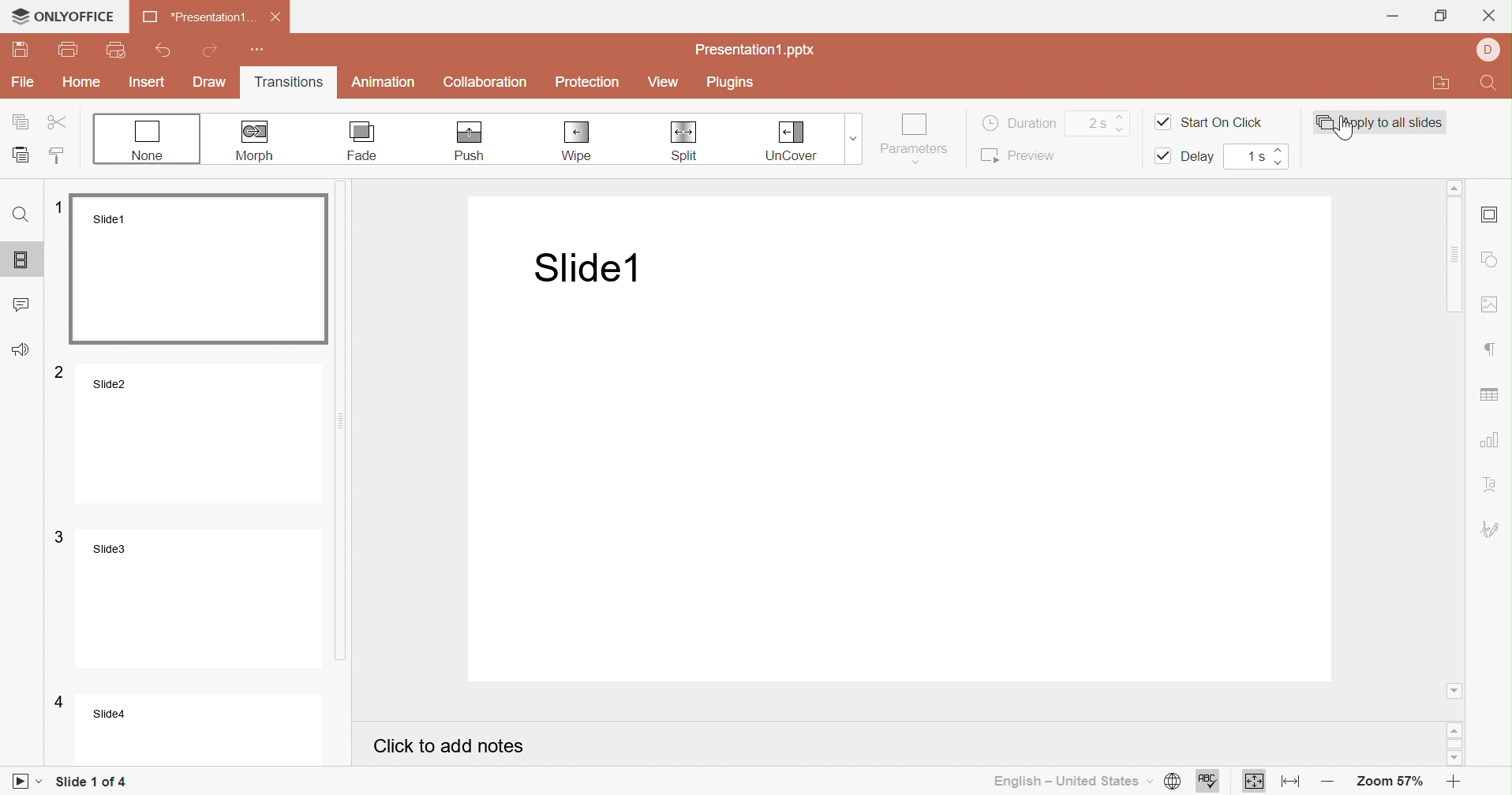 This screenshot has height=795, width=1512. What do you see at coordinates (1454, 746) in the screenshot?
I see `Scroll bar` at bounding box center [1454, 746].